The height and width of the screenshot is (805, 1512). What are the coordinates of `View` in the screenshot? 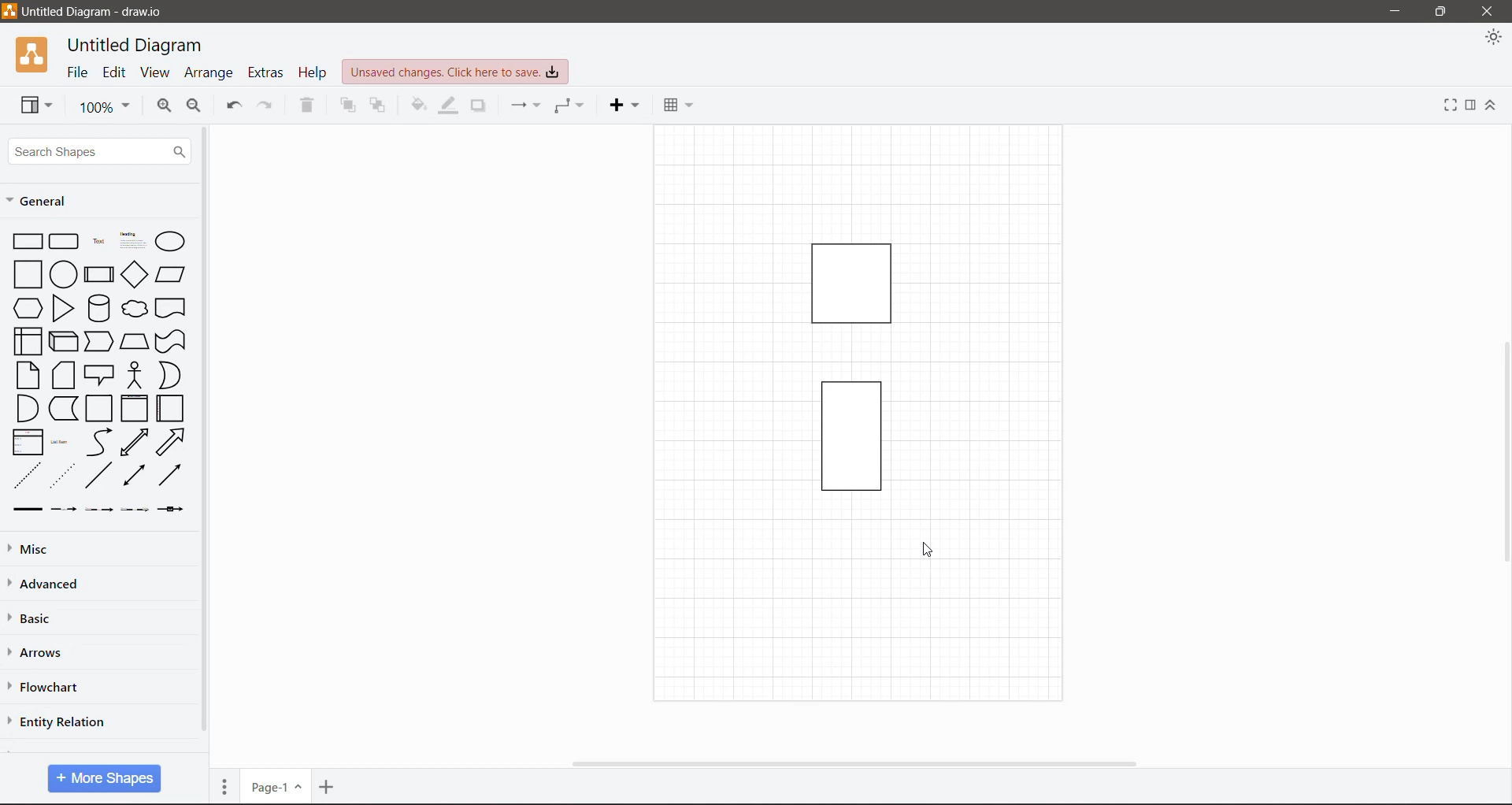 It's located at (36, 105).